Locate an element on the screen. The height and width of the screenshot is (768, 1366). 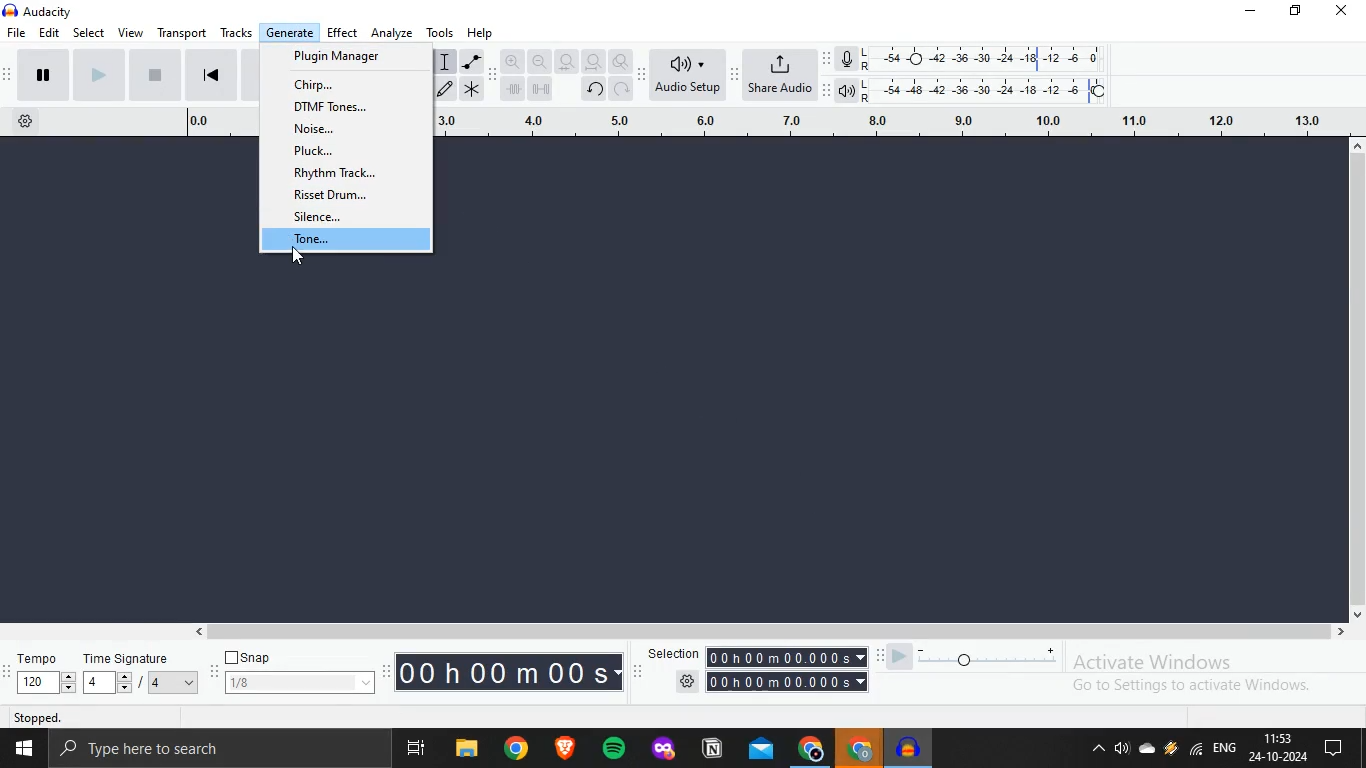
noise.. is located at coordinates (340, 132).